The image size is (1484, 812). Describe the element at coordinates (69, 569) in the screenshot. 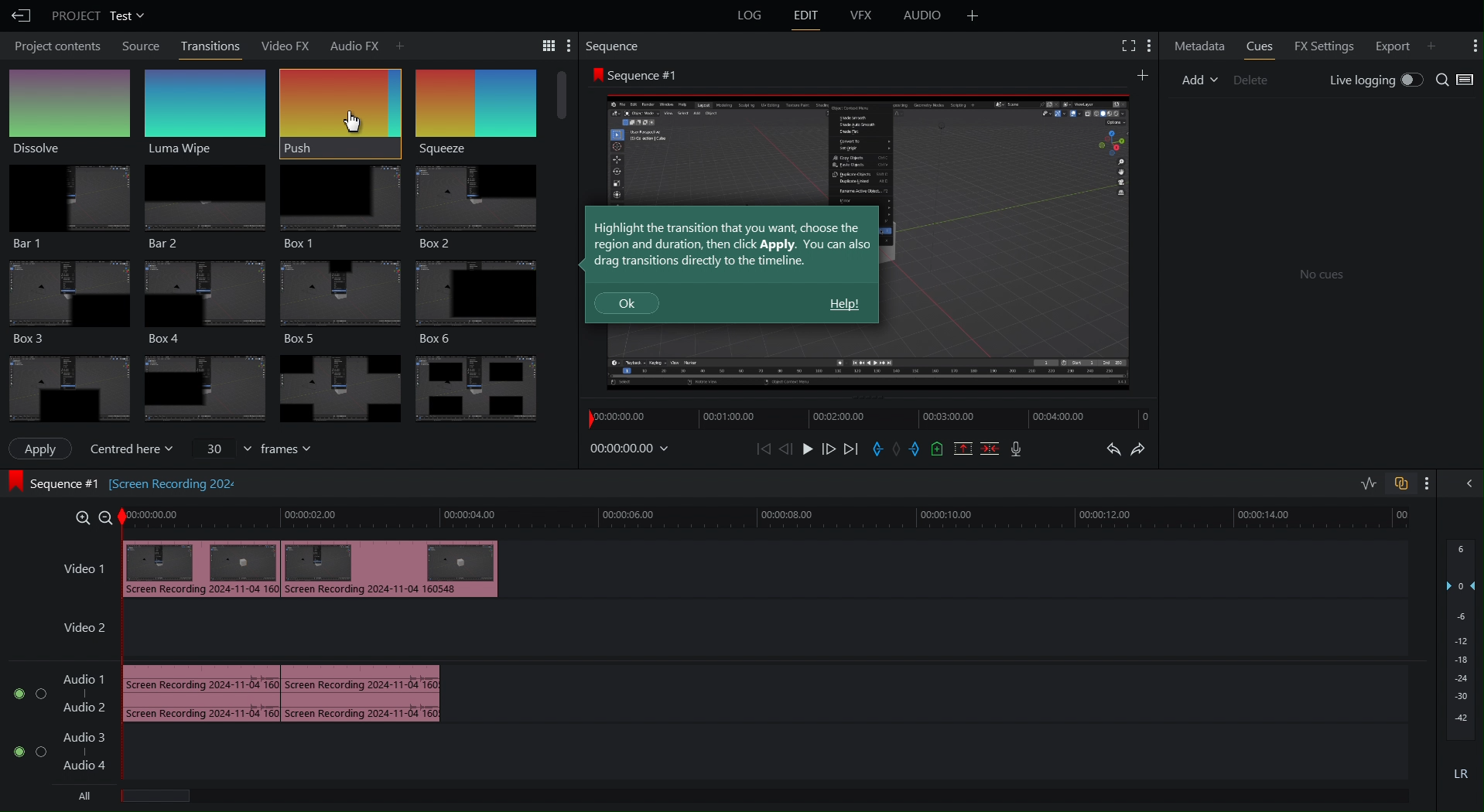

I see `Video 1` at that location.